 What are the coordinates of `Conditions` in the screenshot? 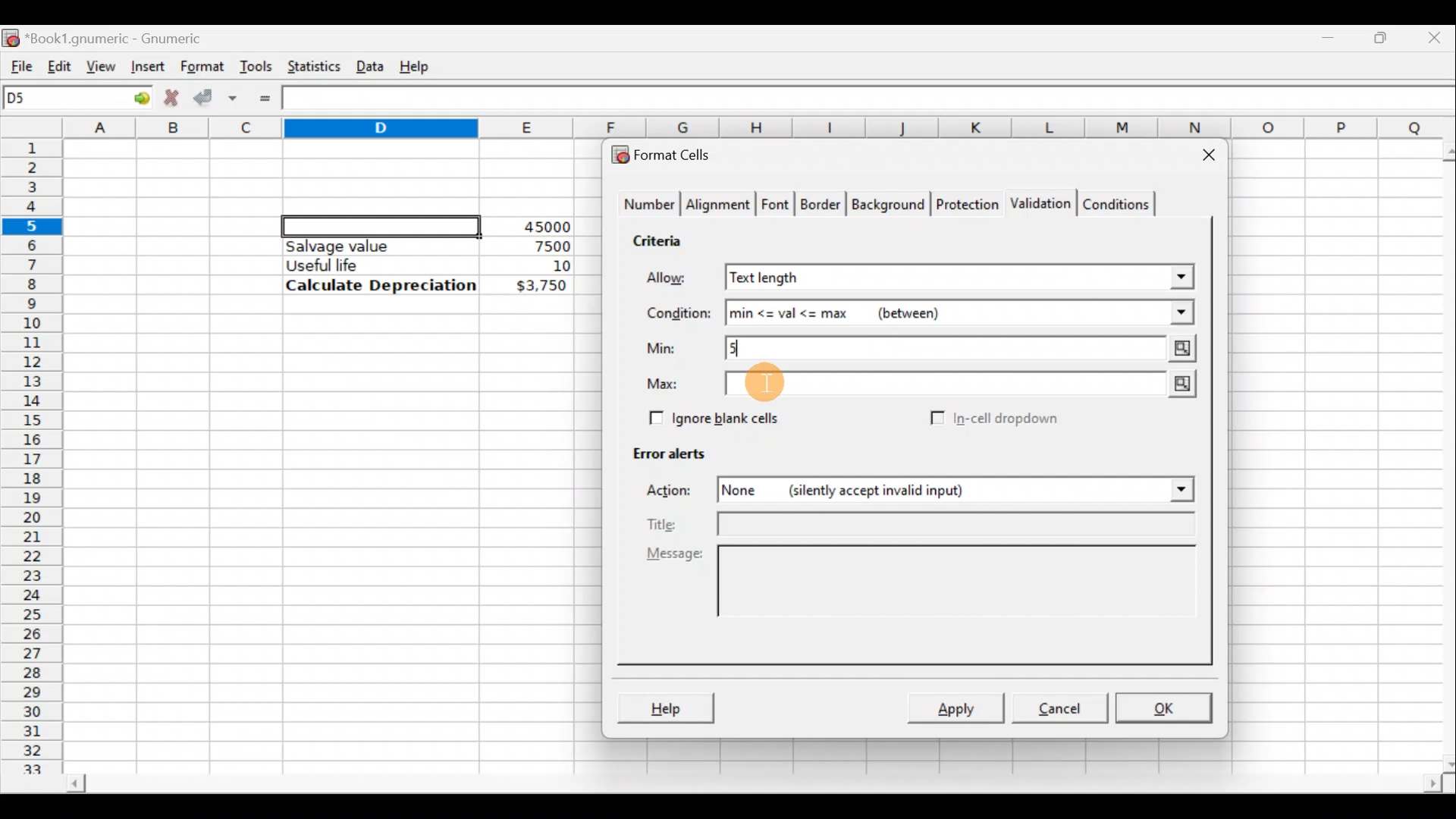 It's located at (1116, 203).